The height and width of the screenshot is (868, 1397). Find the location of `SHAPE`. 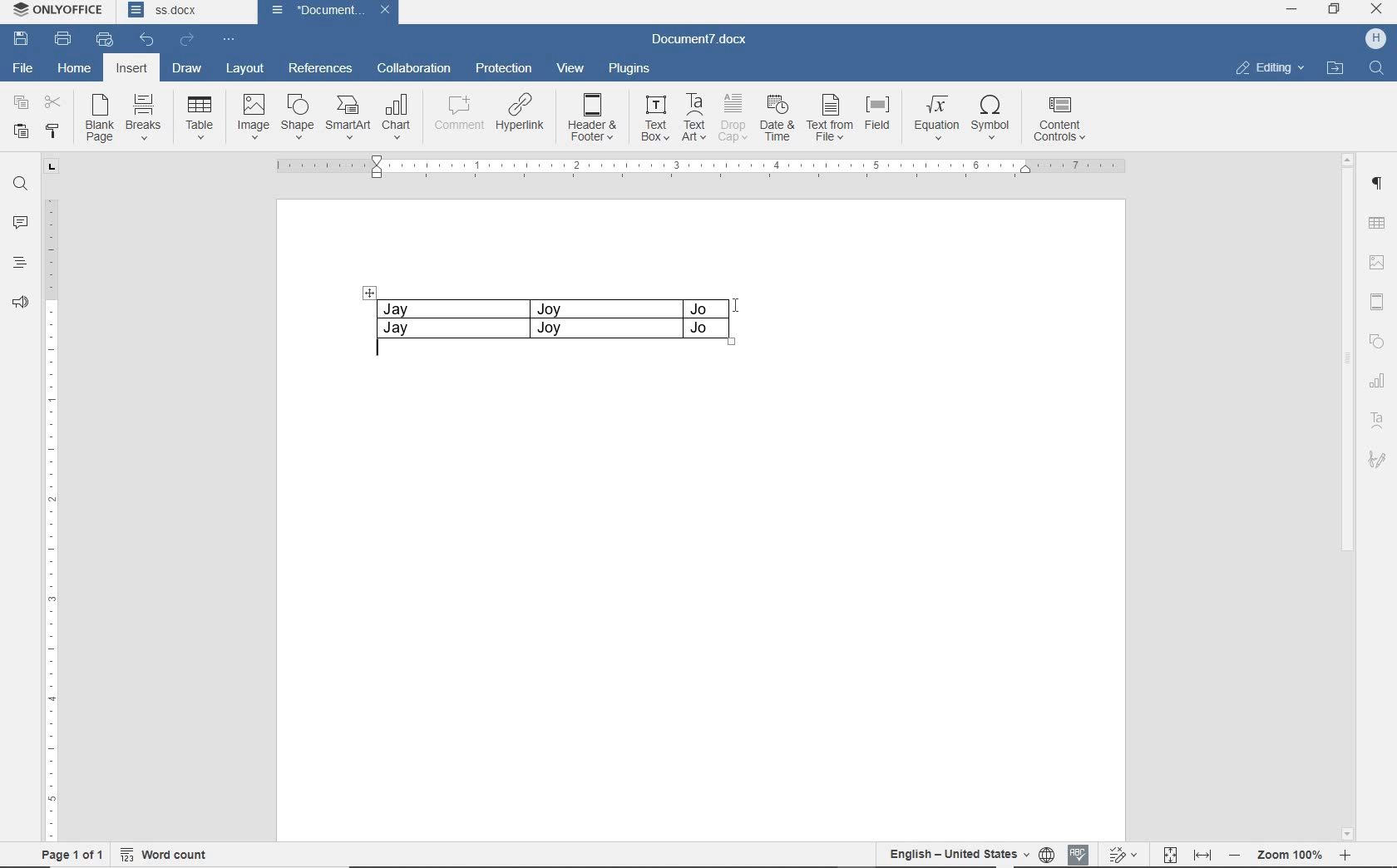

SHAPE is located at coordinates (1377, 341).